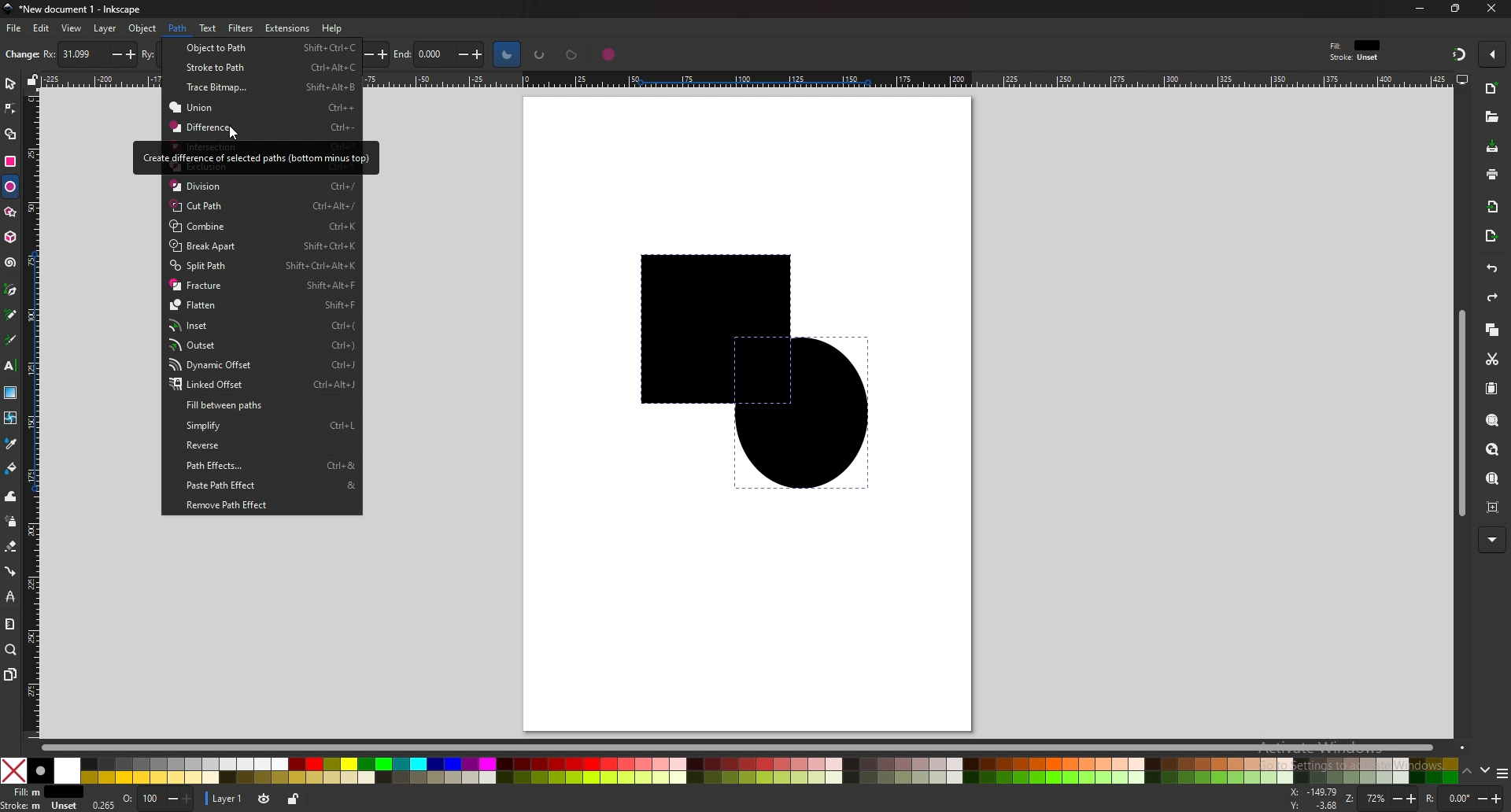 Image resolution: width=1511 pixels, height=812 pixels. What do you see at coordinates (1492, 507) in the screenshot?
I see `zoom center` at bounding box center [1492, 507].